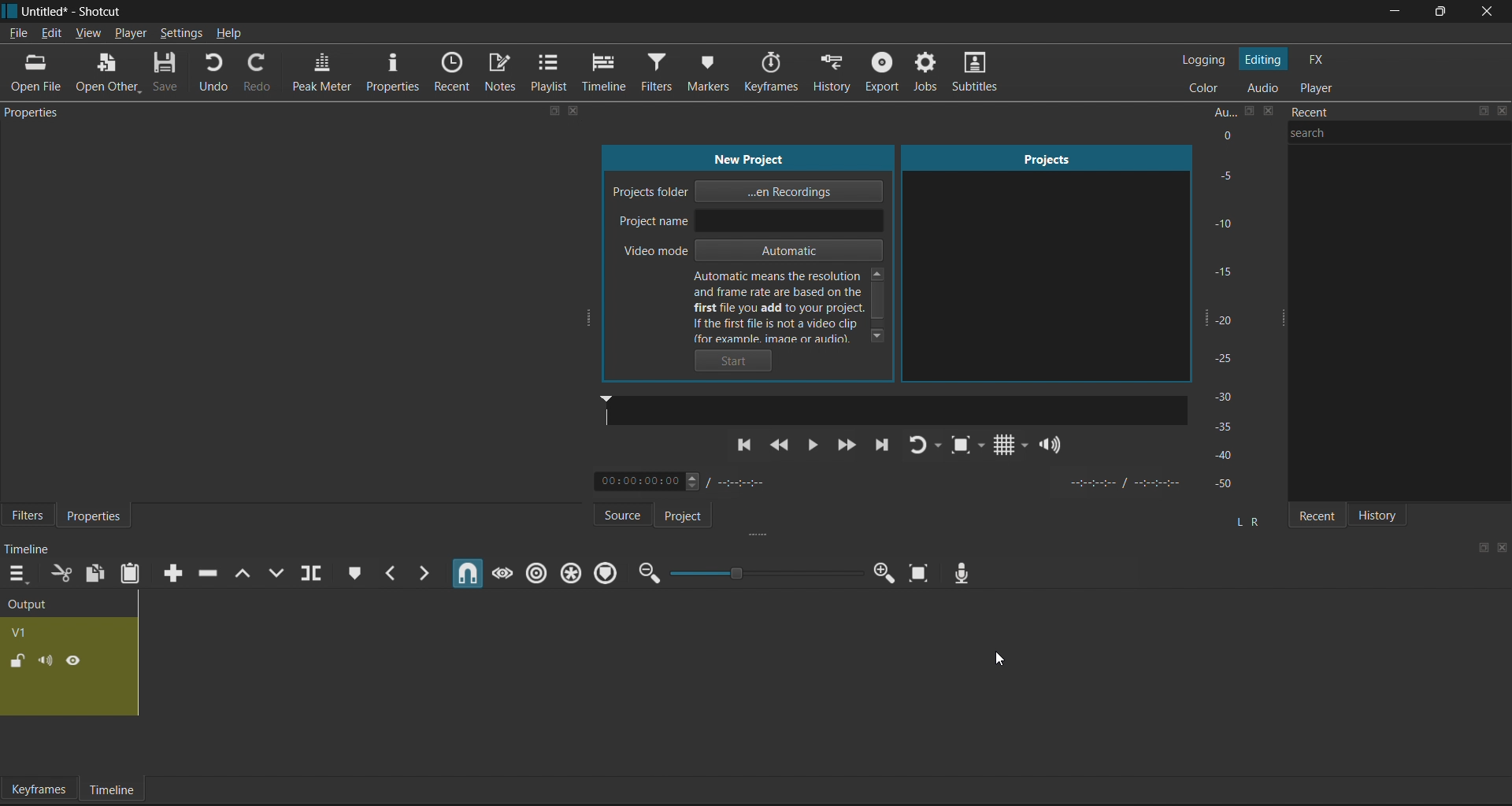 Image resolution: width=1512 pixels, height=806 pixels. Describe the element at coordinates (964, 448) in the screenshot. I see `Toggle Zoom` at that location.